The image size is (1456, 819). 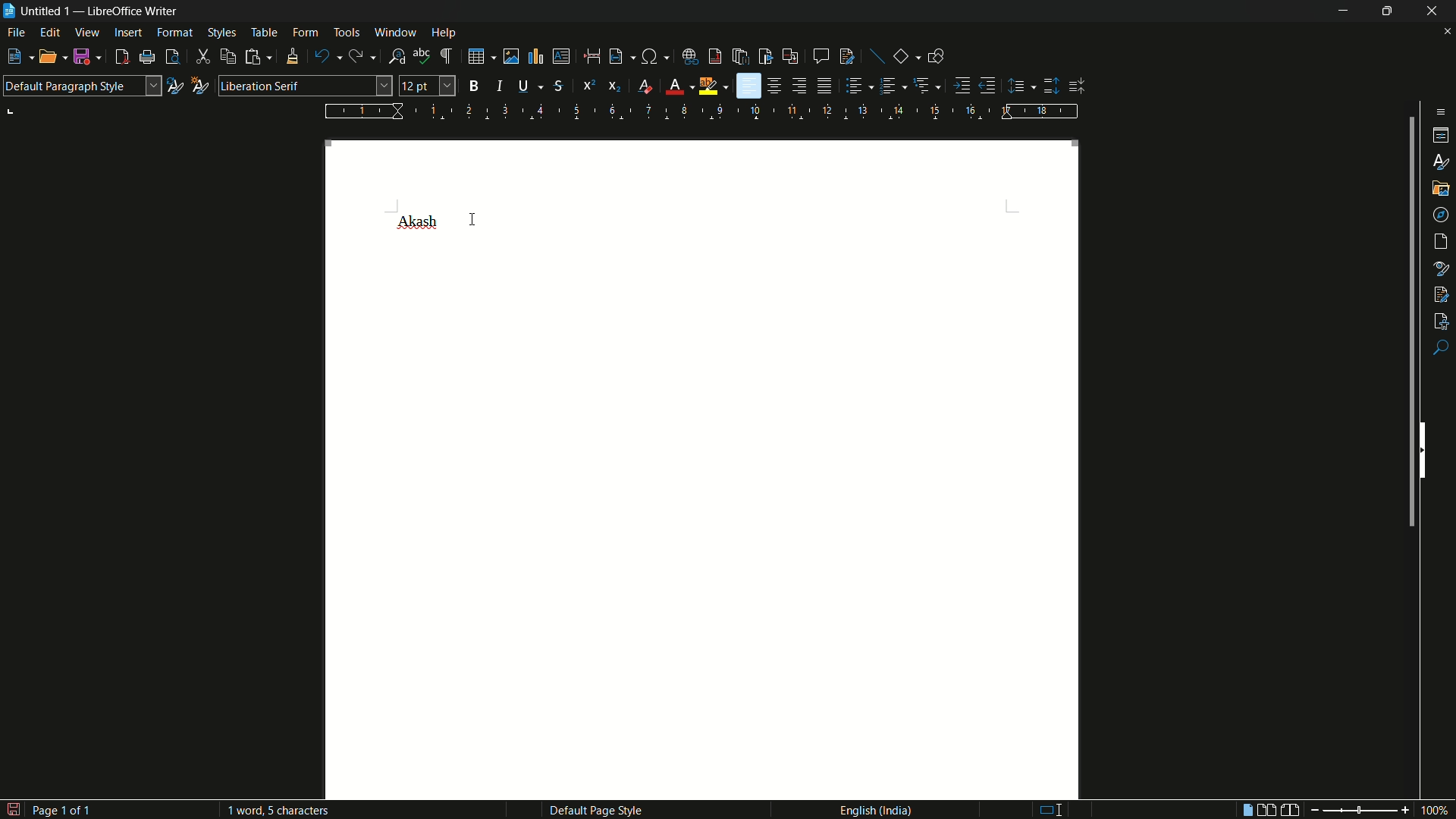 I want to click on underline, so click(x=523, y=85).